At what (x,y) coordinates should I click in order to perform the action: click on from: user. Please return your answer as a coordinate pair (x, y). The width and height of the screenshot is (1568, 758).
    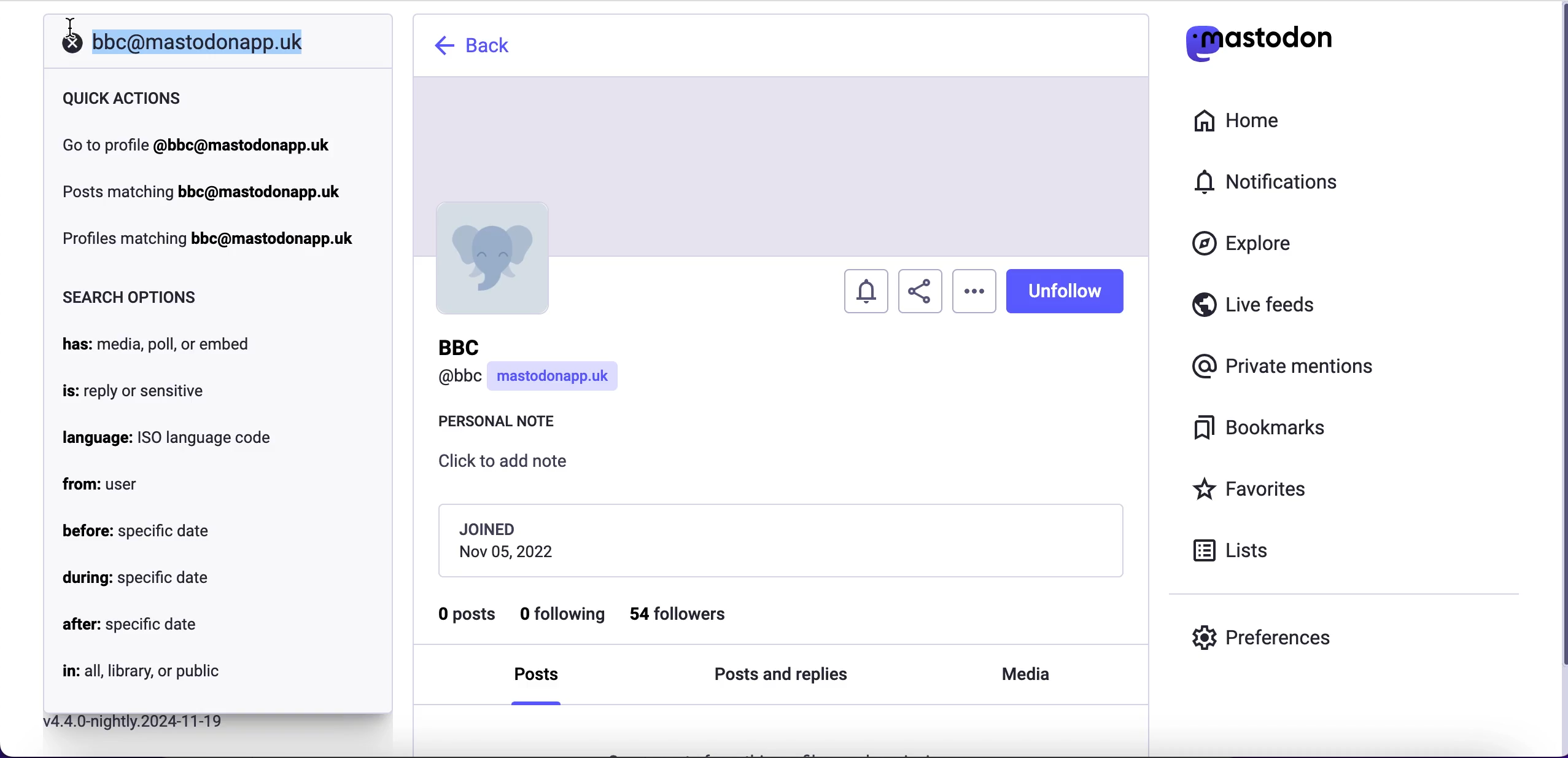
    Looking at the image, I should click on (102, 486).